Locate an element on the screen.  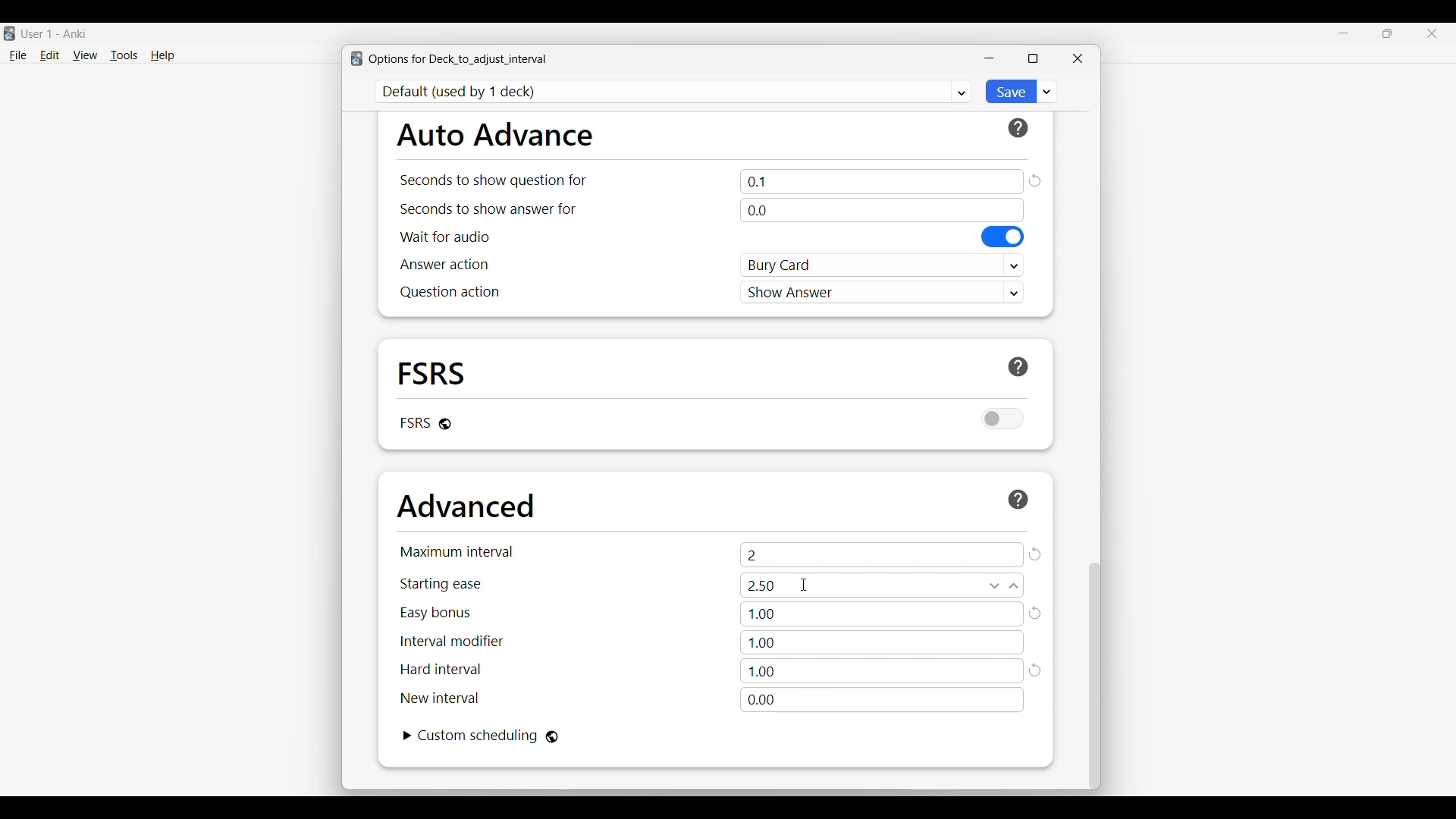
Save and other options is located at coordinates (1047, 91).